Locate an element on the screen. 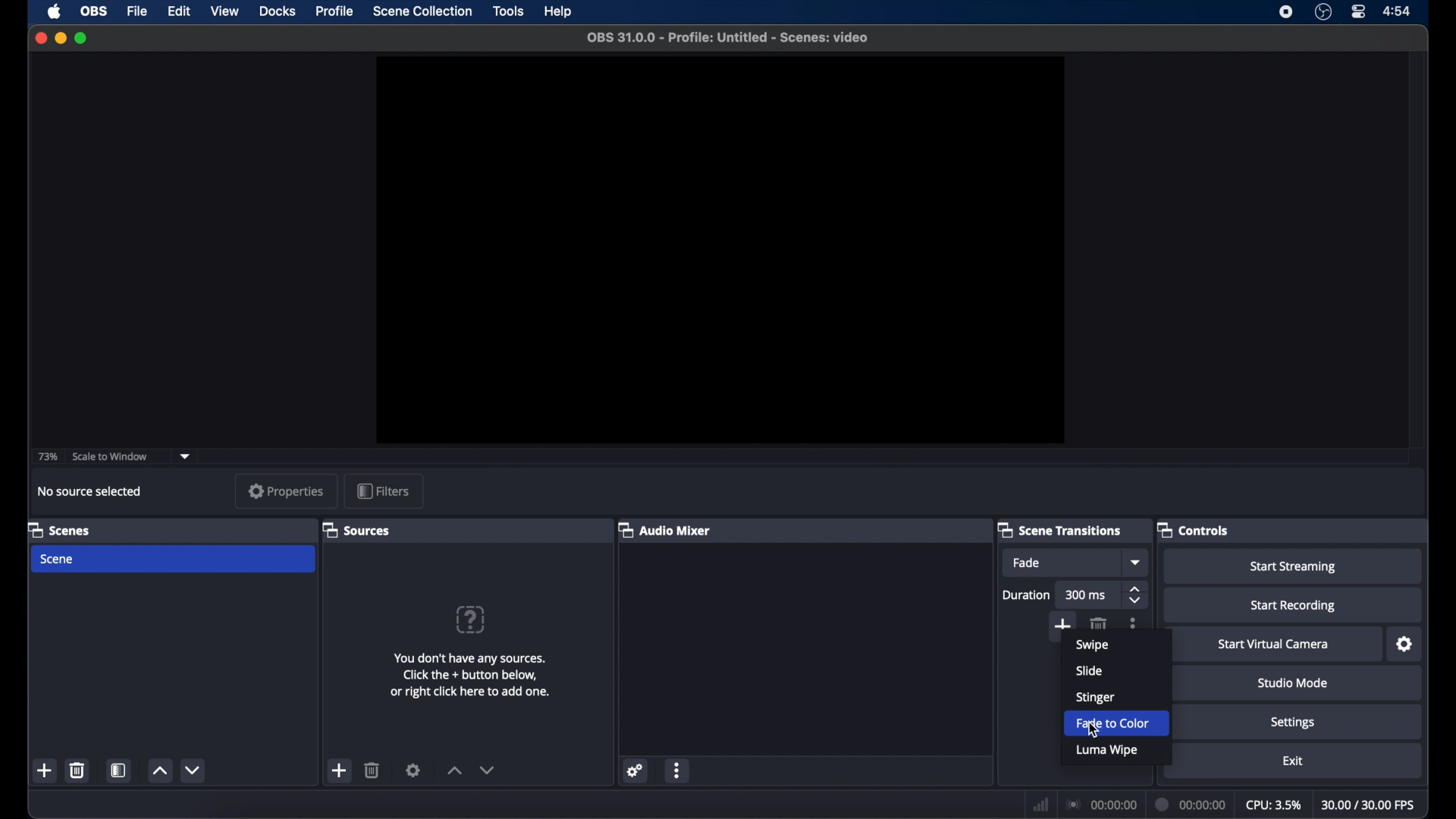  delete is located at coordinates (372, 770).